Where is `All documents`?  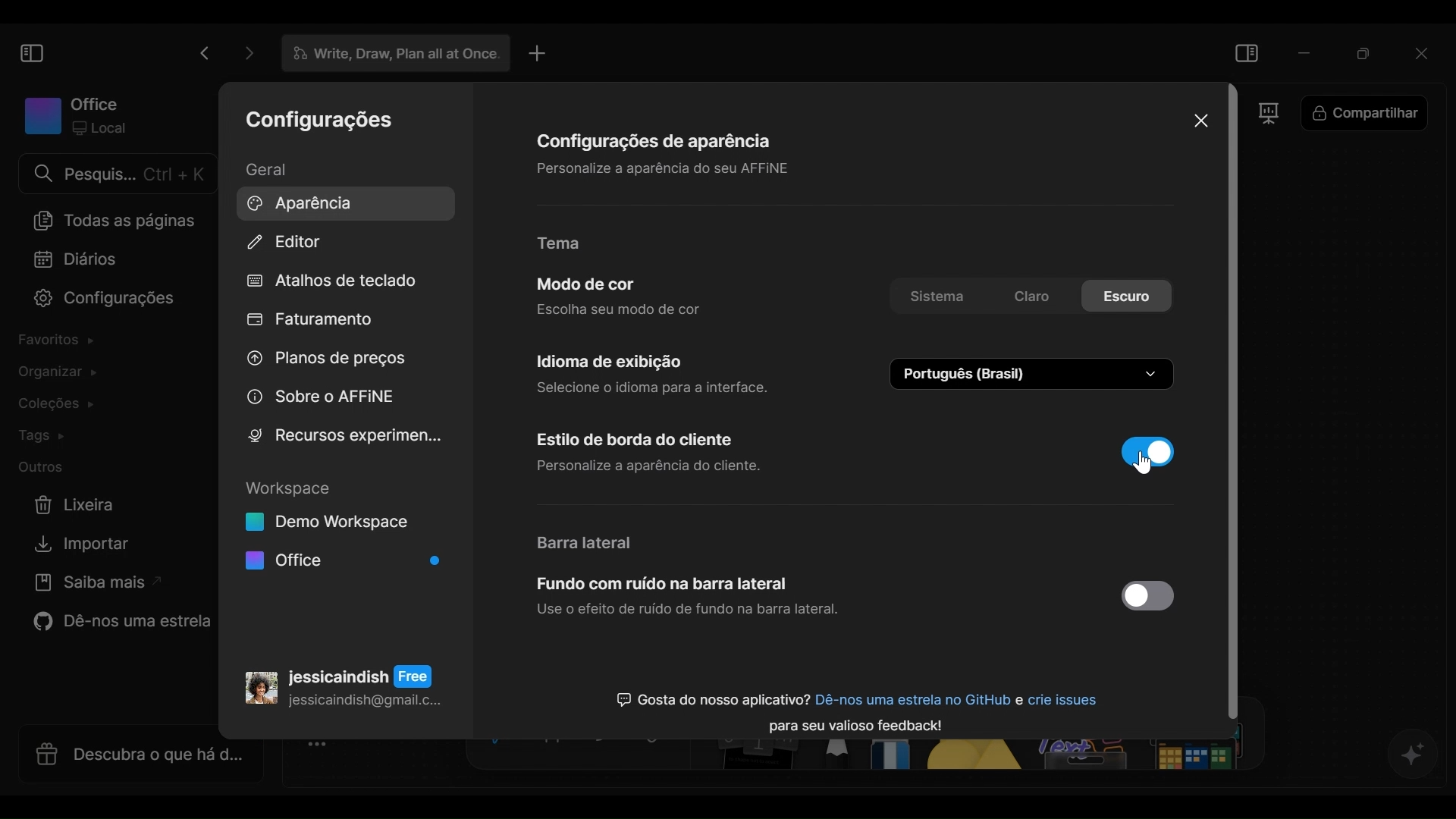
All documents is located at coordinates (111, 220).